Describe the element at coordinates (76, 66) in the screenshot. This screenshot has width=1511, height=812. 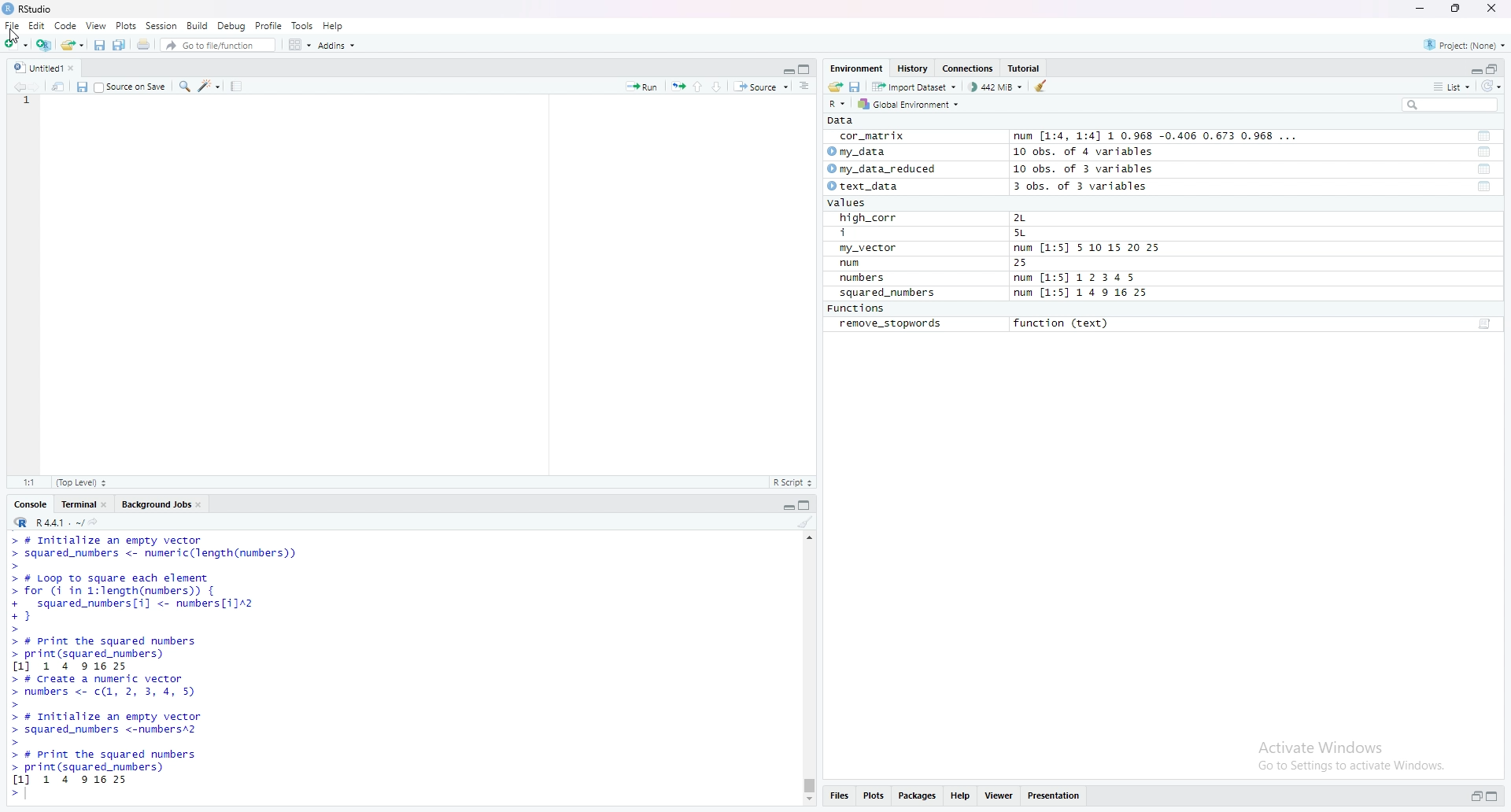
I see `Close` at that location.